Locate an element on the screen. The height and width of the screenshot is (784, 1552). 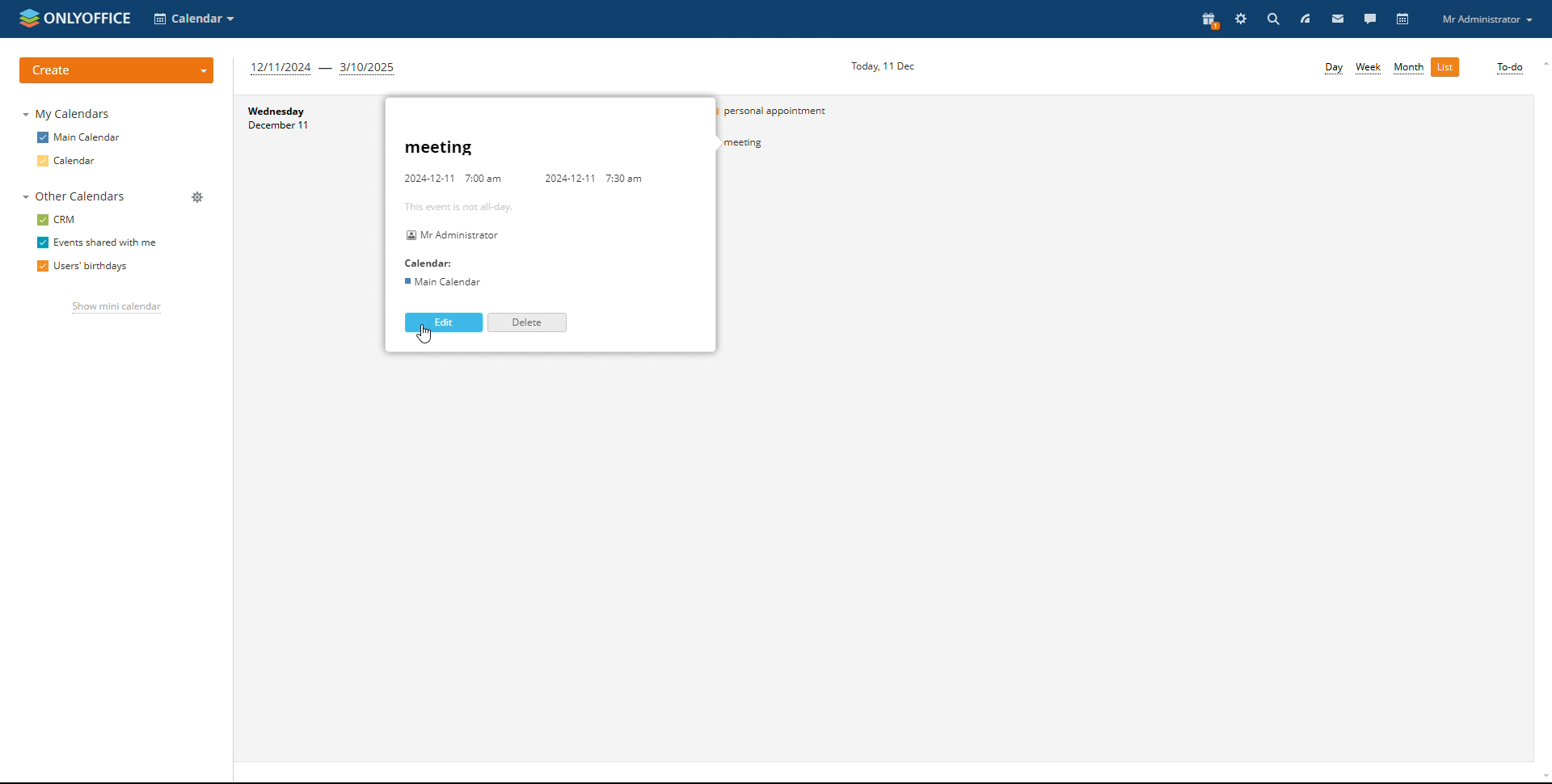
talk is located at coordinates (1370, 18).